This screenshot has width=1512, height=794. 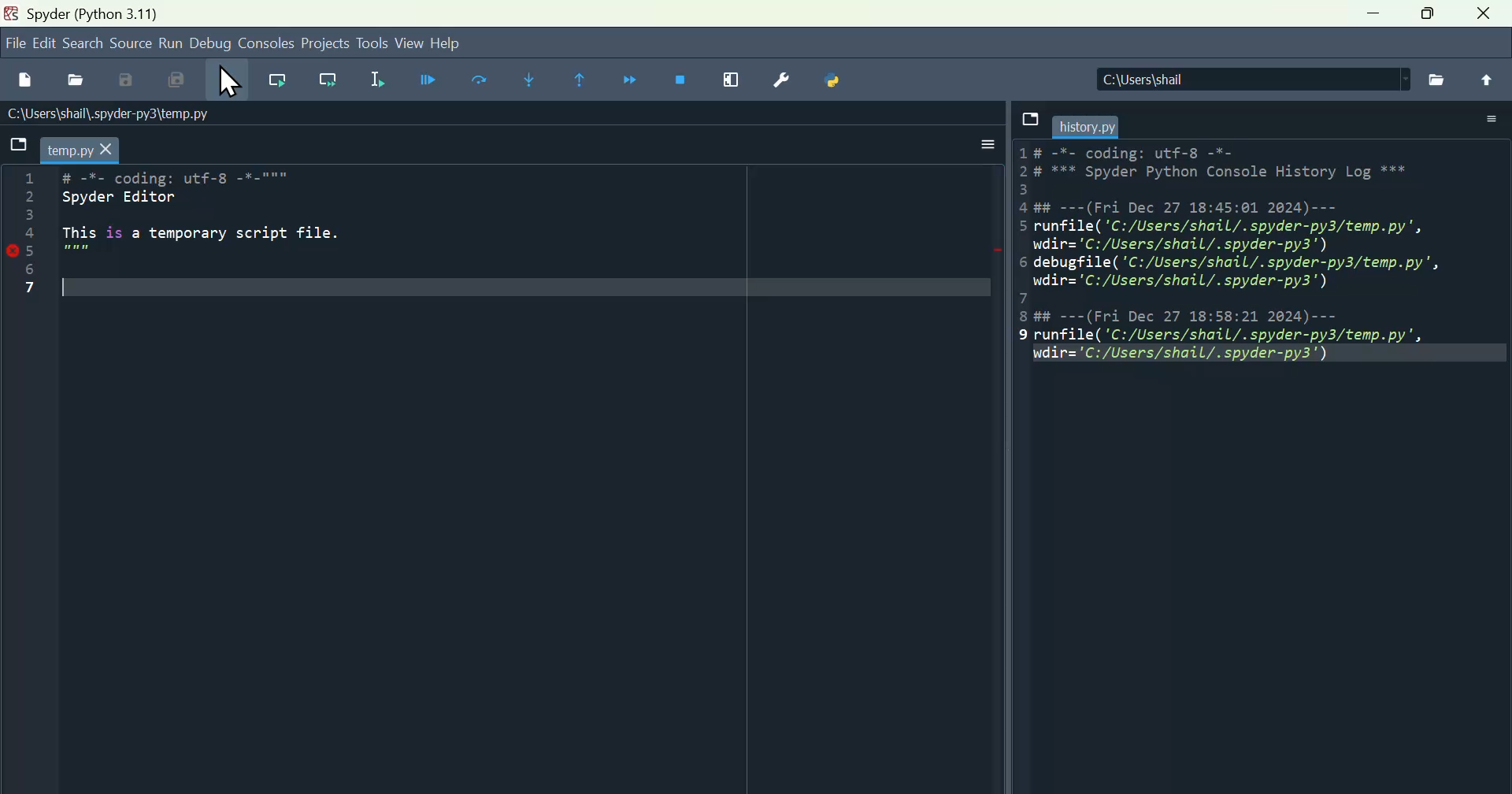 I want to click on Name of the file, so click(x=198, y=113).